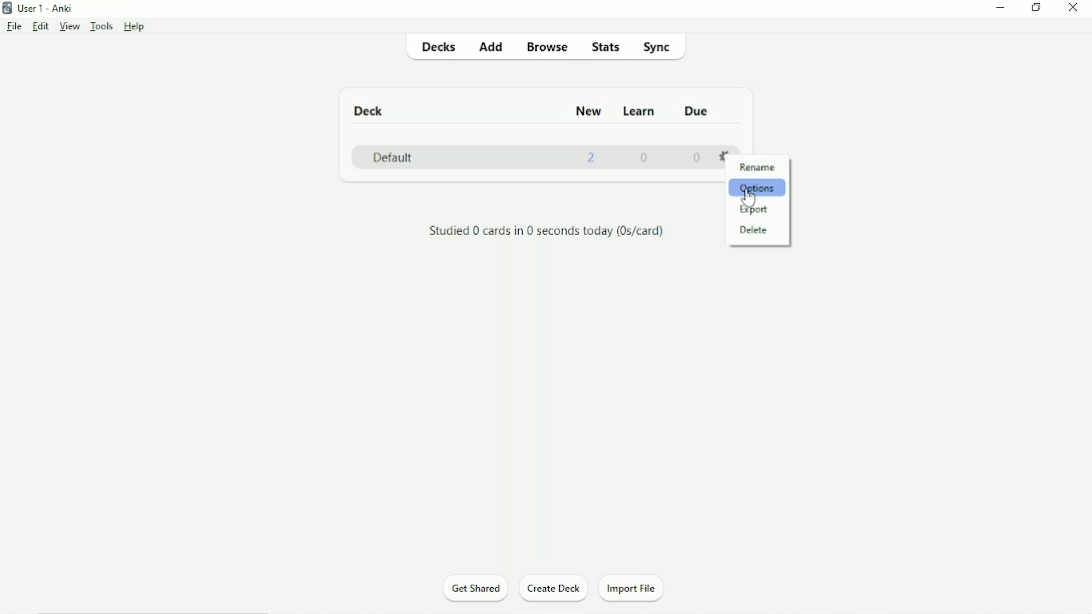 The image size is (1092, 614). What do you see at coordinates (437, 49) in the screenshot?
I see `Decks` at bounding box center [437, 49].